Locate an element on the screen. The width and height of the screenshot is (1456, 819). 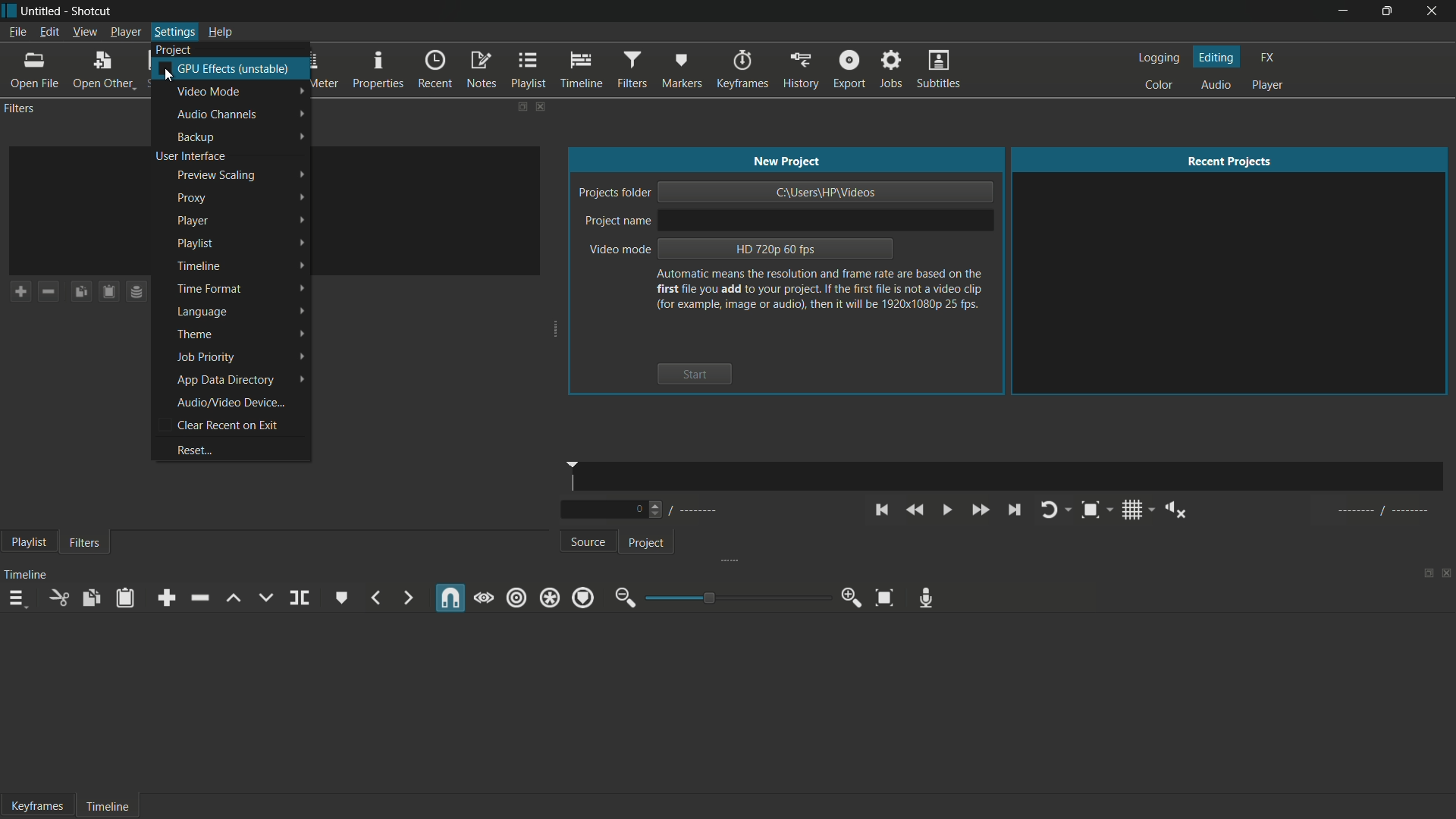
audio channels is located at coordinates (220, 115).